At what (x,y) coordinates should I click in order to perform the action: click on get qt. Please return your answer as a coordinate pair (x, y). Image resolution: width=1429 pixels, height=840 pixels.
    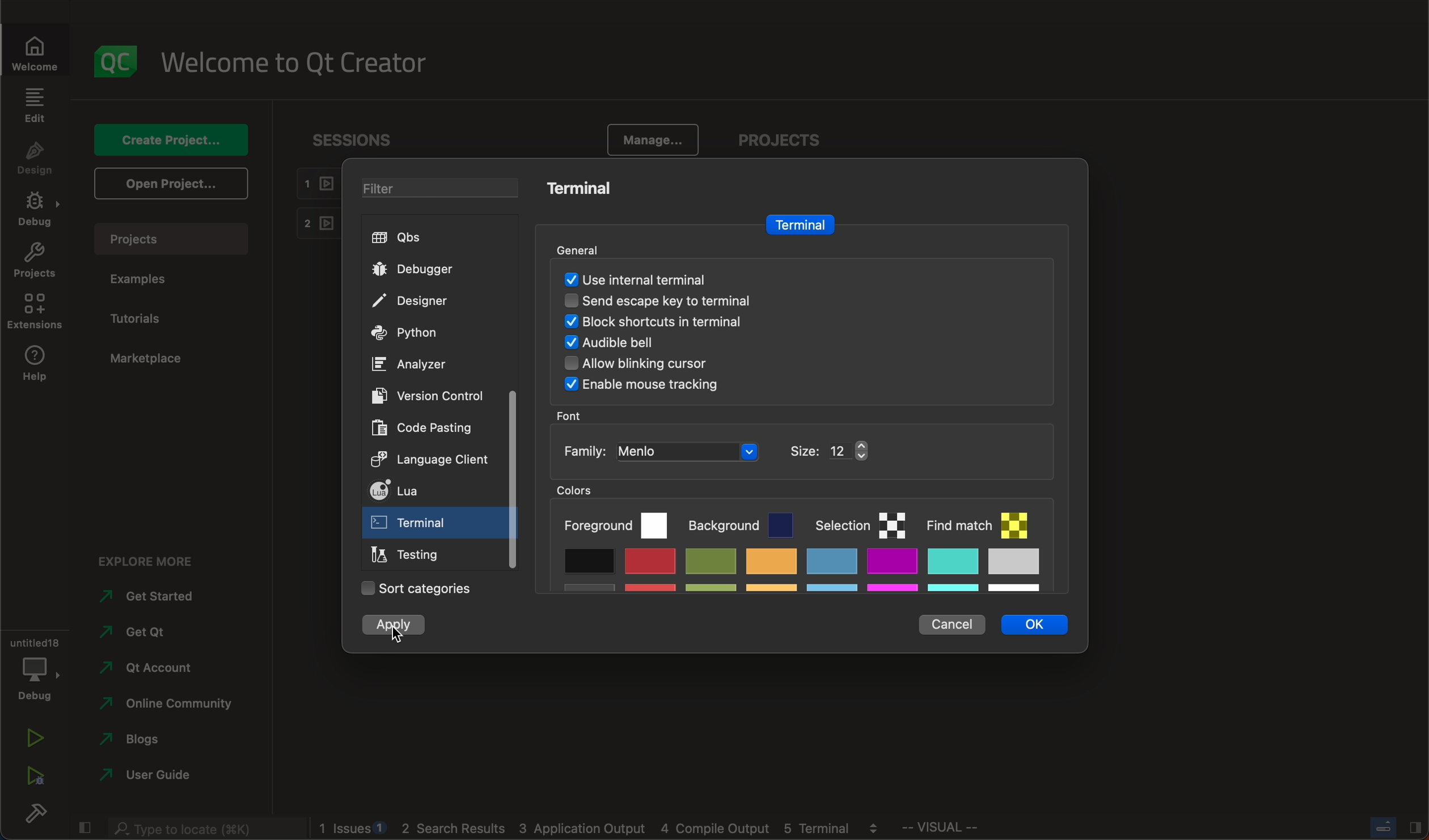
    Looking at the image, I should click on (164, 632).